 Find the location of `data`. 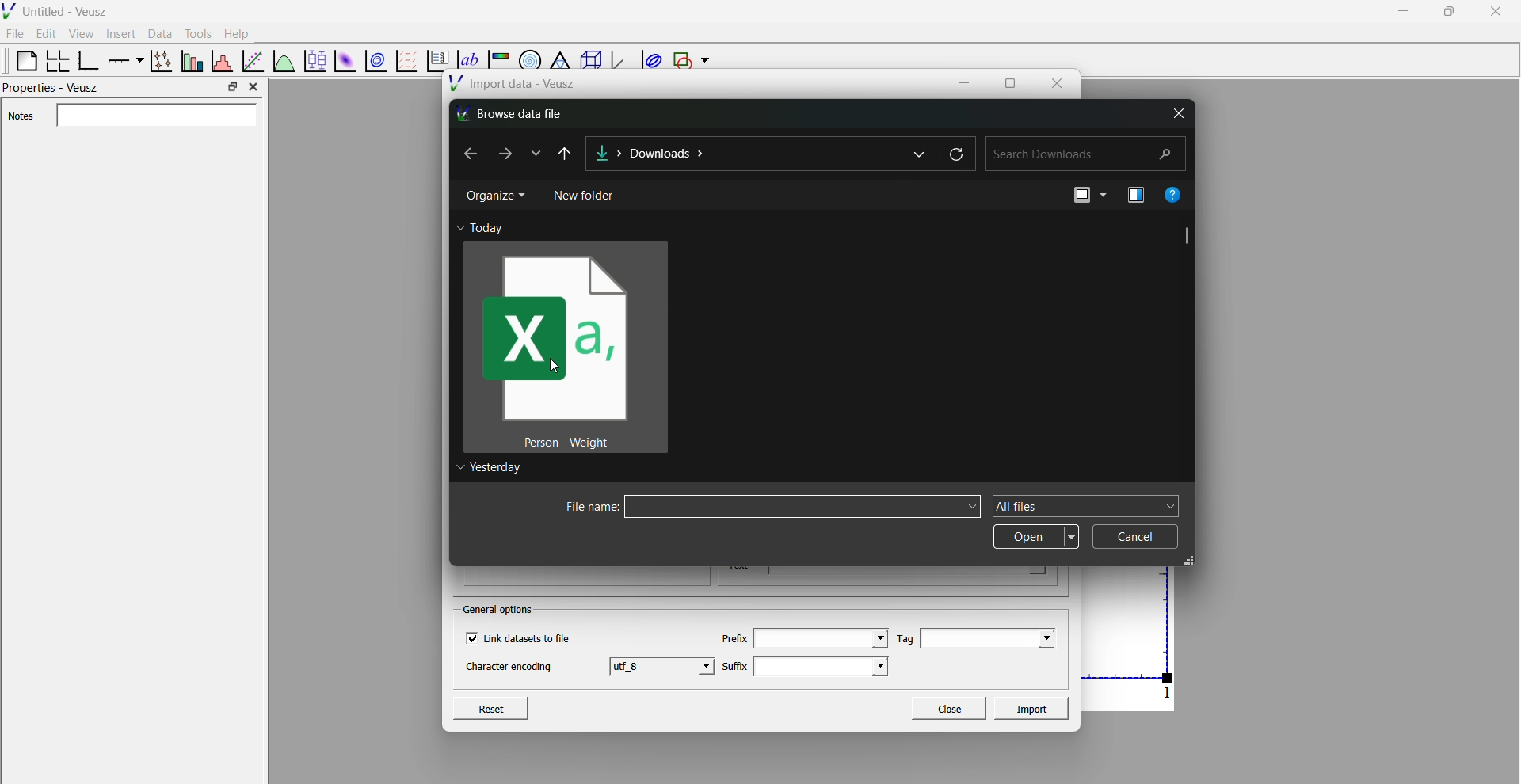

data is located at coordinates (158, 33).